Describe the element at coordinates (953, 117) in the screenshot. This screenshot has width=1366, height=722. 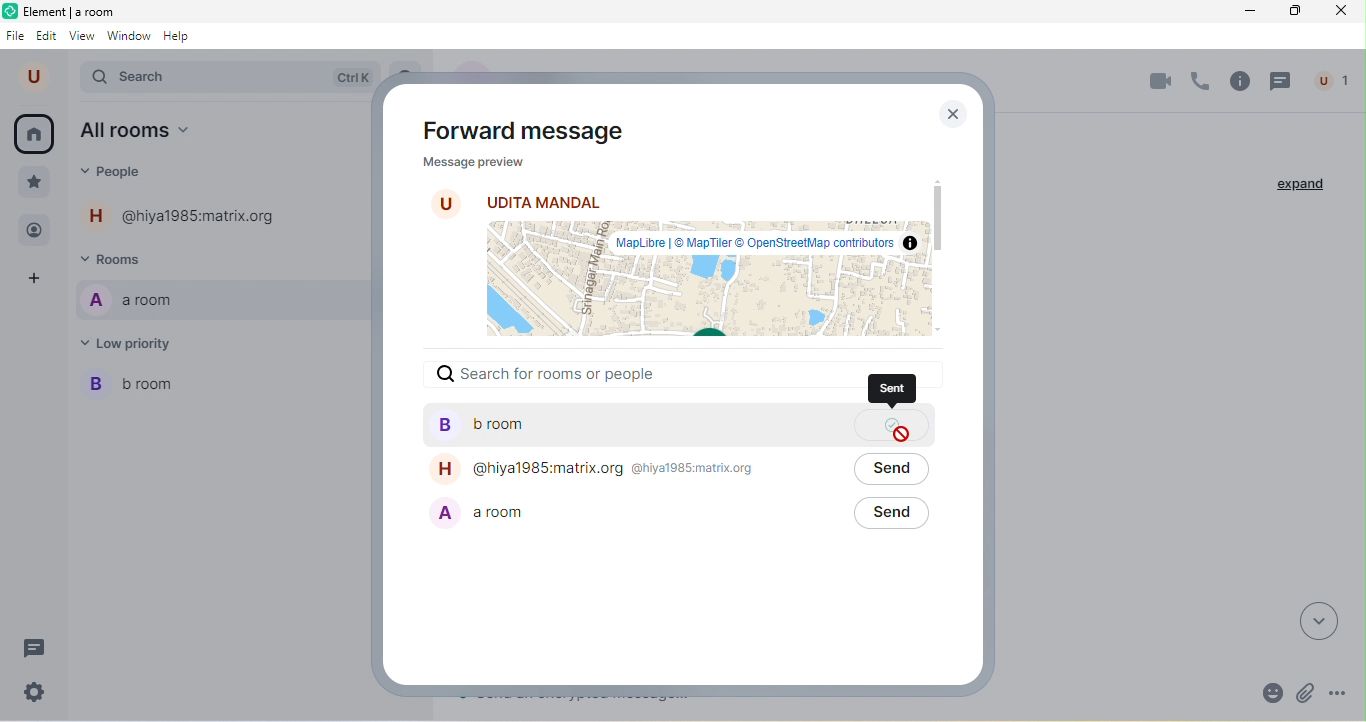
I see `close` at that location.